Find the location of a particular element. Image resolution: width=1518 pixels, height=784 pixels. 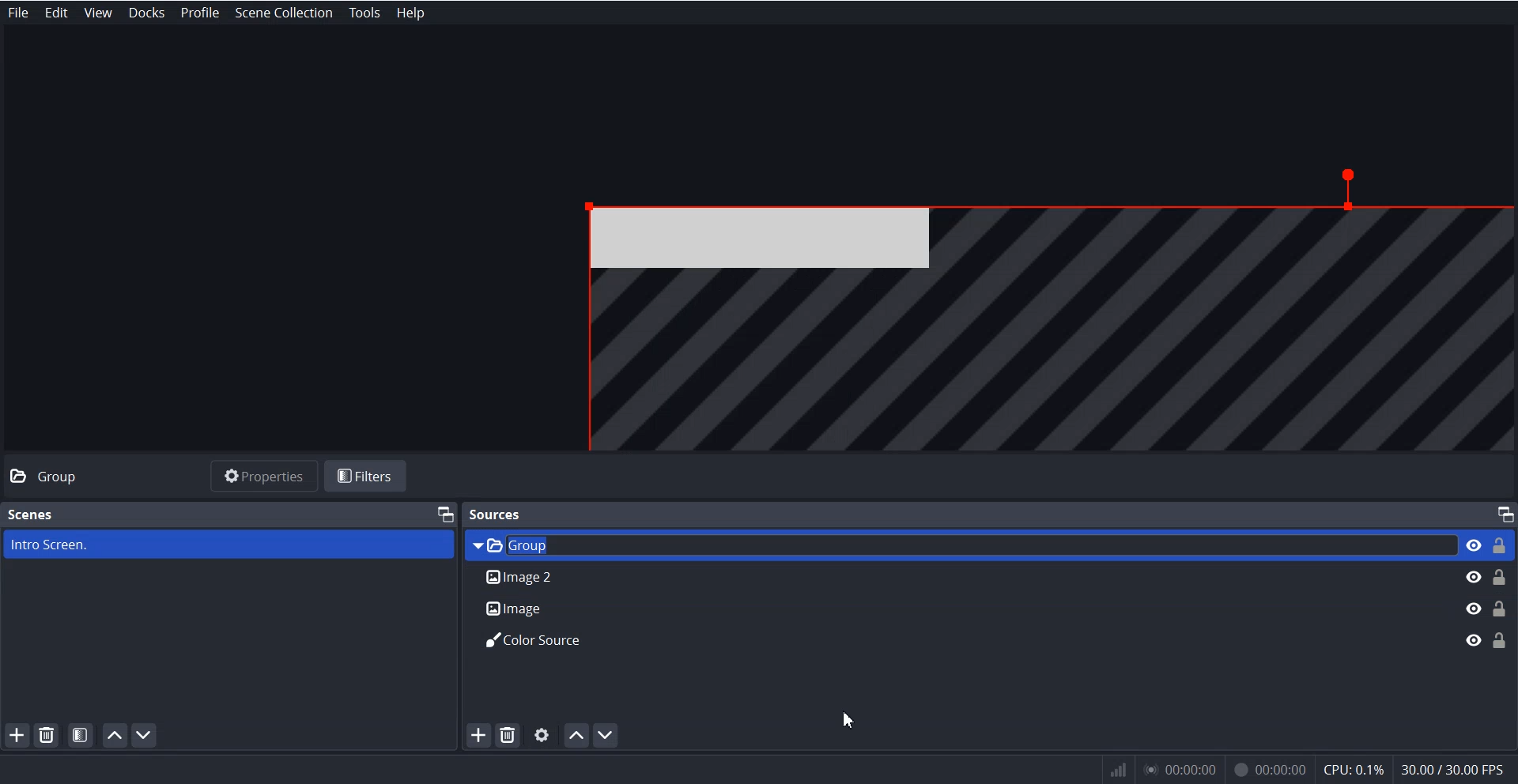

Maximize is located at coordinates (1504, 514).